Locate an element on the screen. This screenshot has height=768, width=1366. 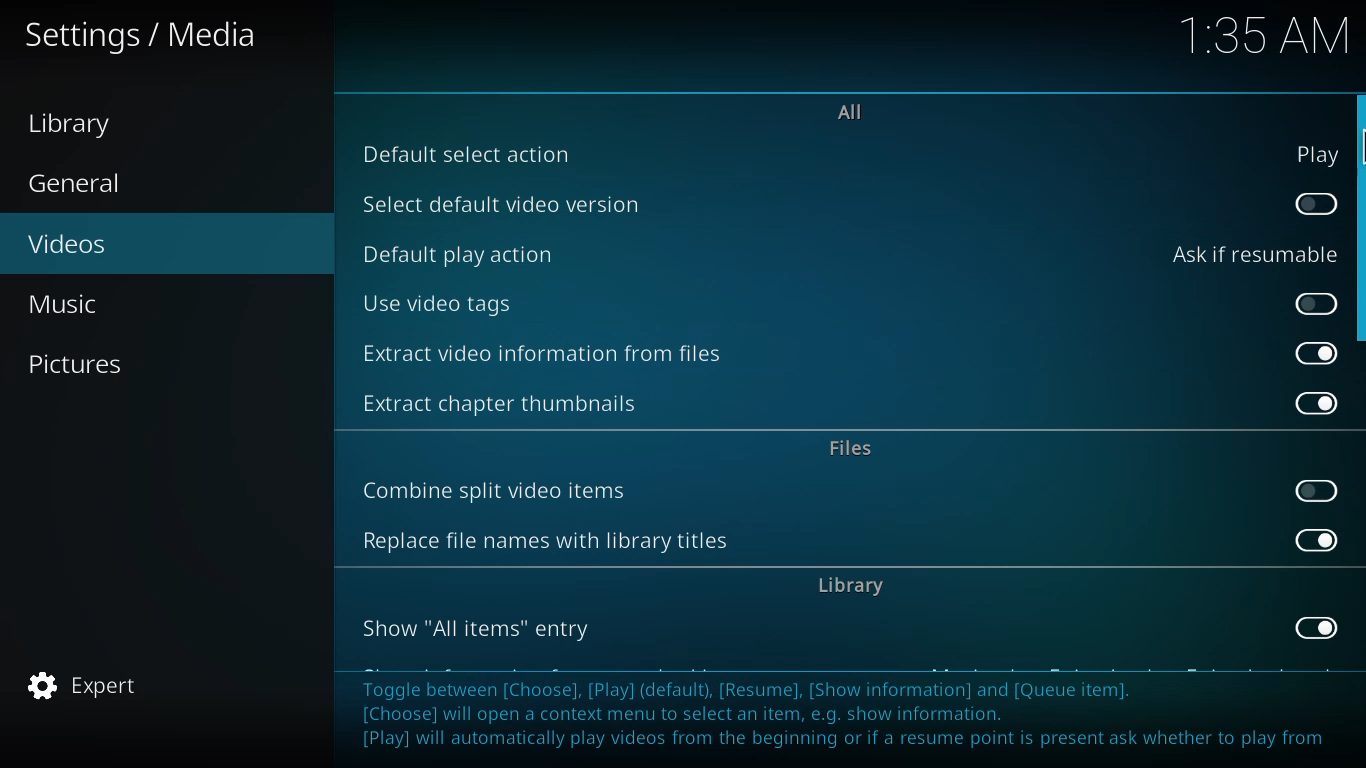
videos is located at coordinates (69, 242).